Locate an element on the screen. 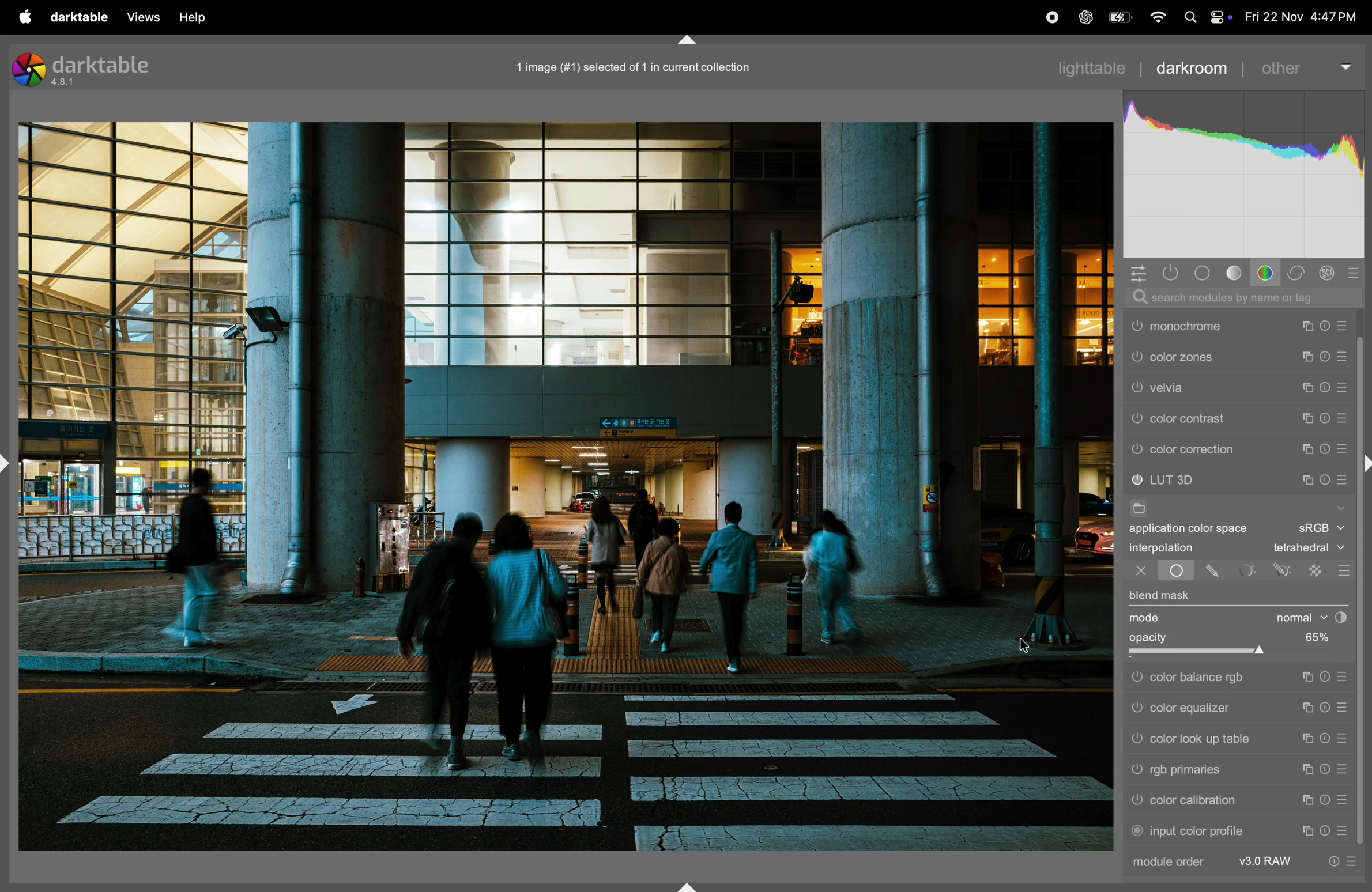  presets is located at coordinates (1347, 476).